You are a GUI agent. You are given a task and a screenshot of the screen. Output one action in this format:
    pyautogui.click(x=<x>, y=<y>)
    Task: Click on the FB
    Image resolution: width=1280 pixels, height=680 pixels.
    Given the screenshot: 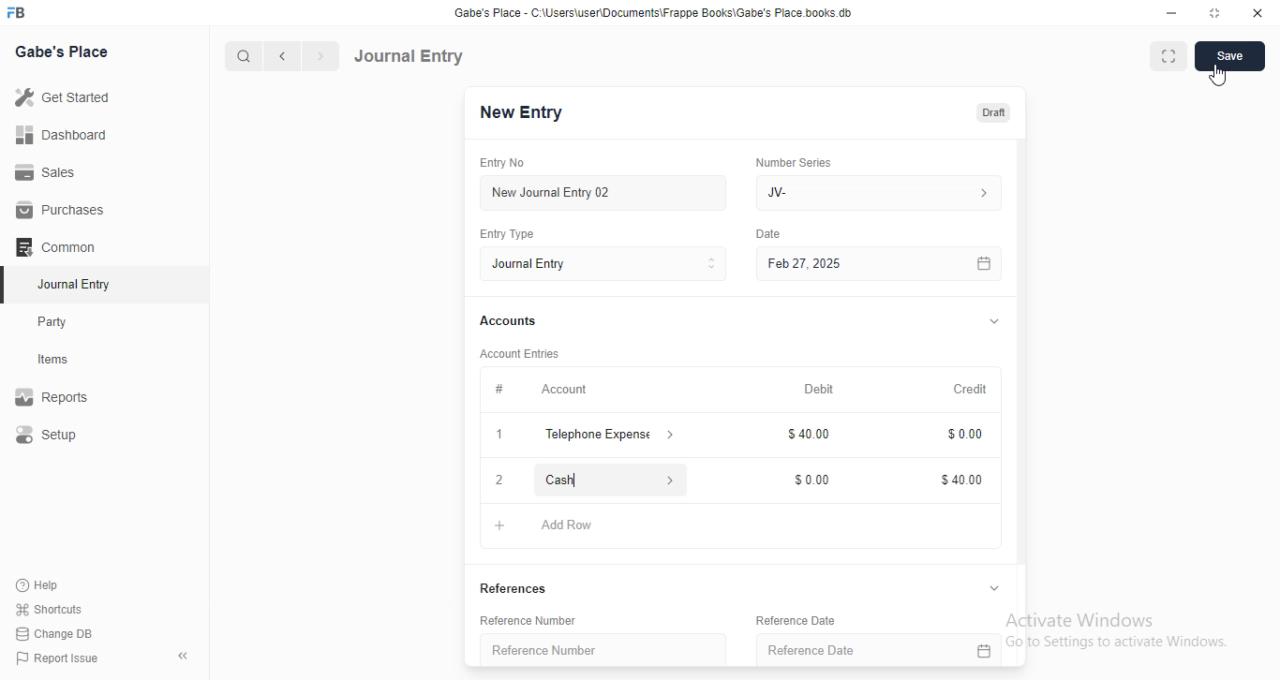 What is the action you would take?
    pyautogui.click(x=19, y=11)
    